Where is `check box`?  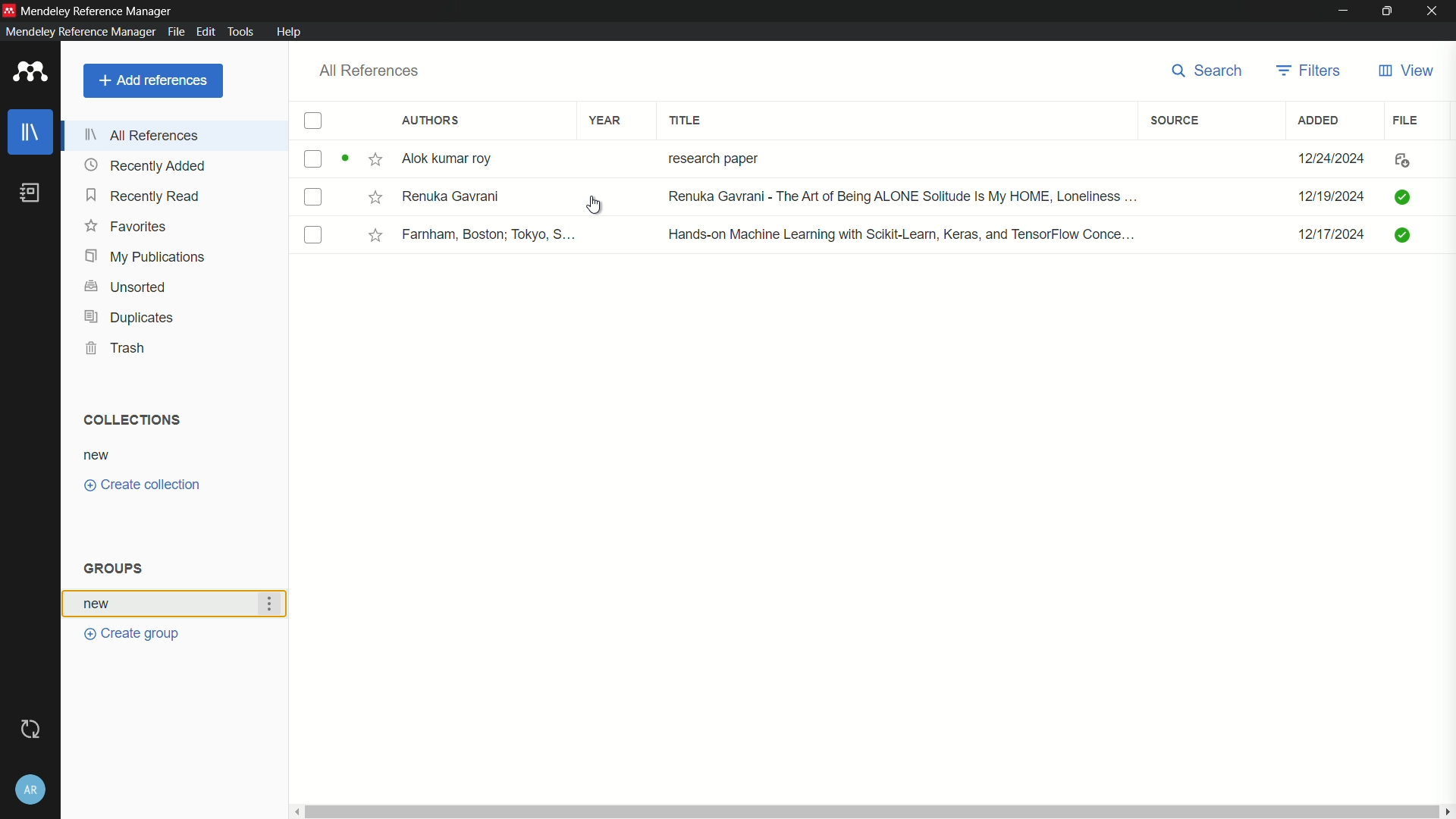
check box is located at coordinates (313, 122).